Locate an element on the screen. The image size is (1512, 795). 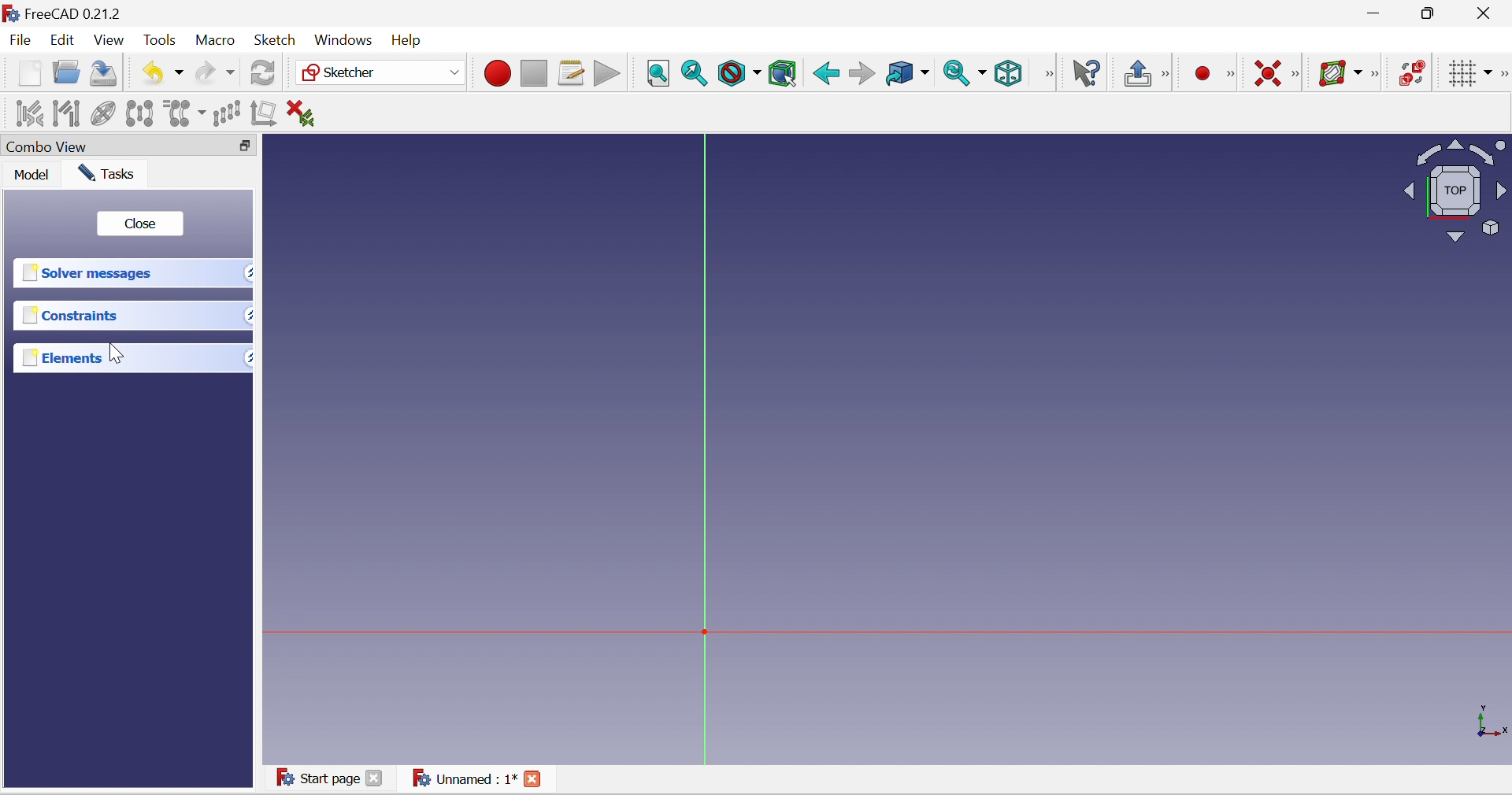
Macros is located at coordinates (572, 73).